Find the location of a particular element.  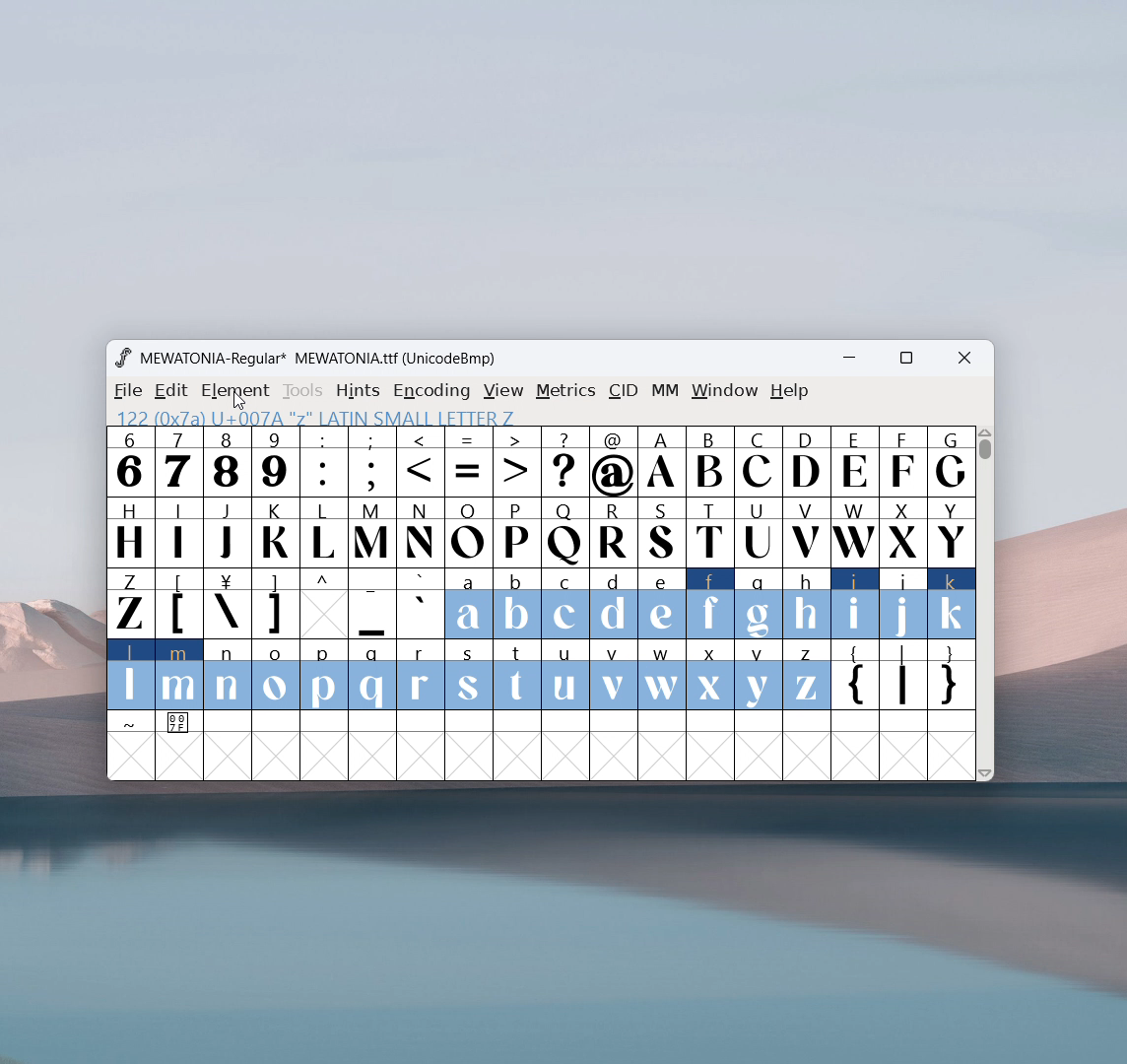

G is located at coordinates (951, 461).